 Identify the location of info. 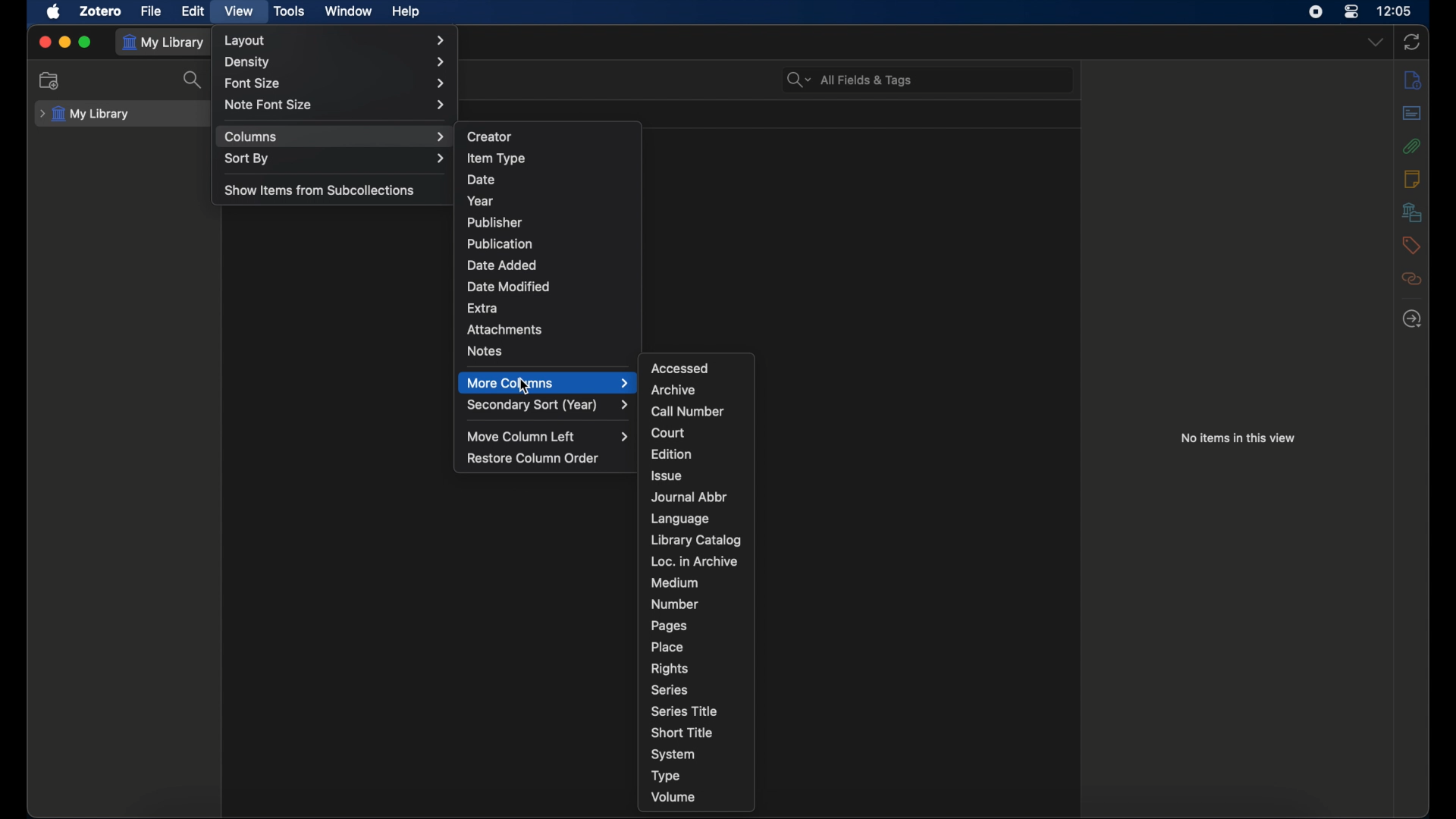
(1412, 80).